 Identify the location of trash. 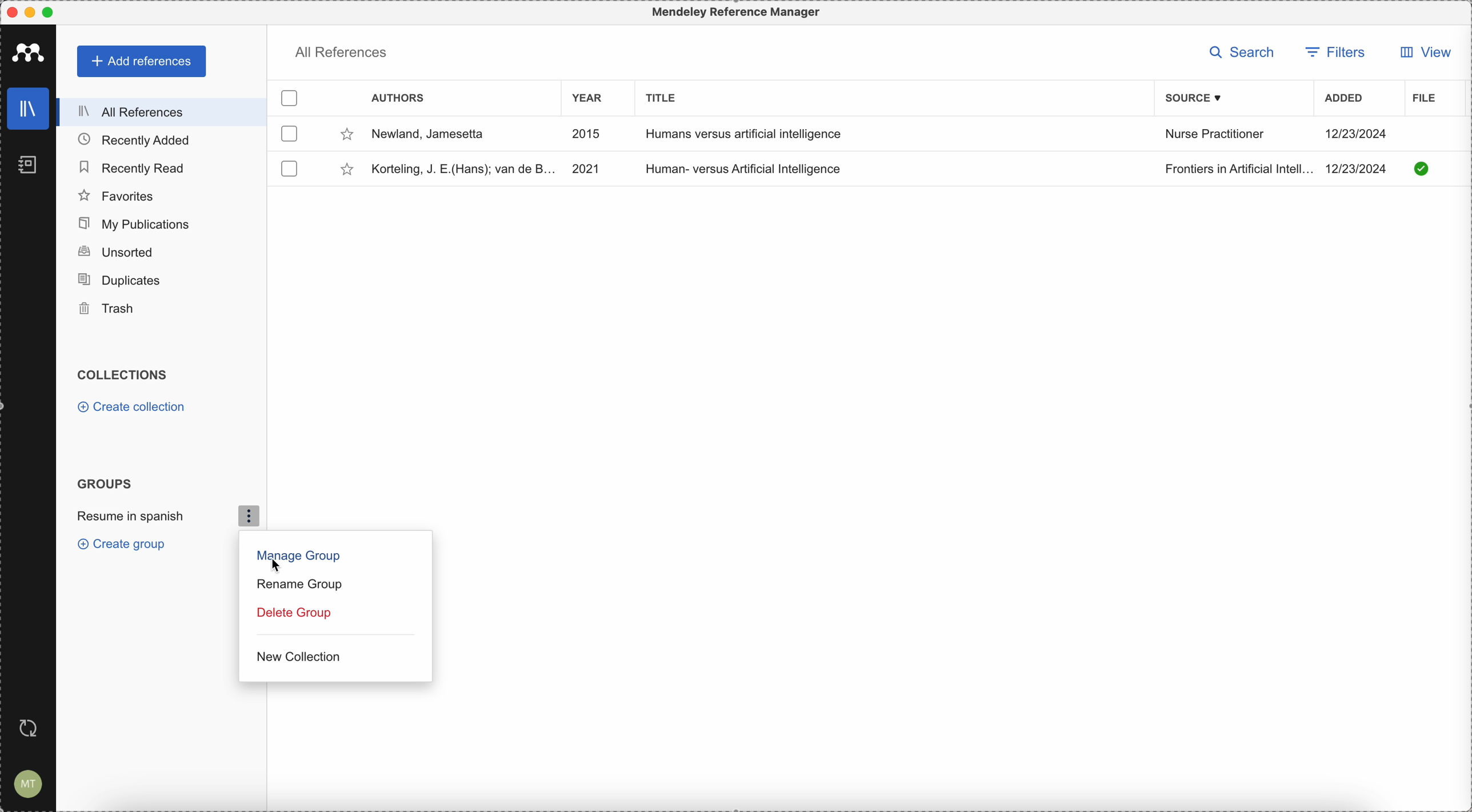
(110, 310).